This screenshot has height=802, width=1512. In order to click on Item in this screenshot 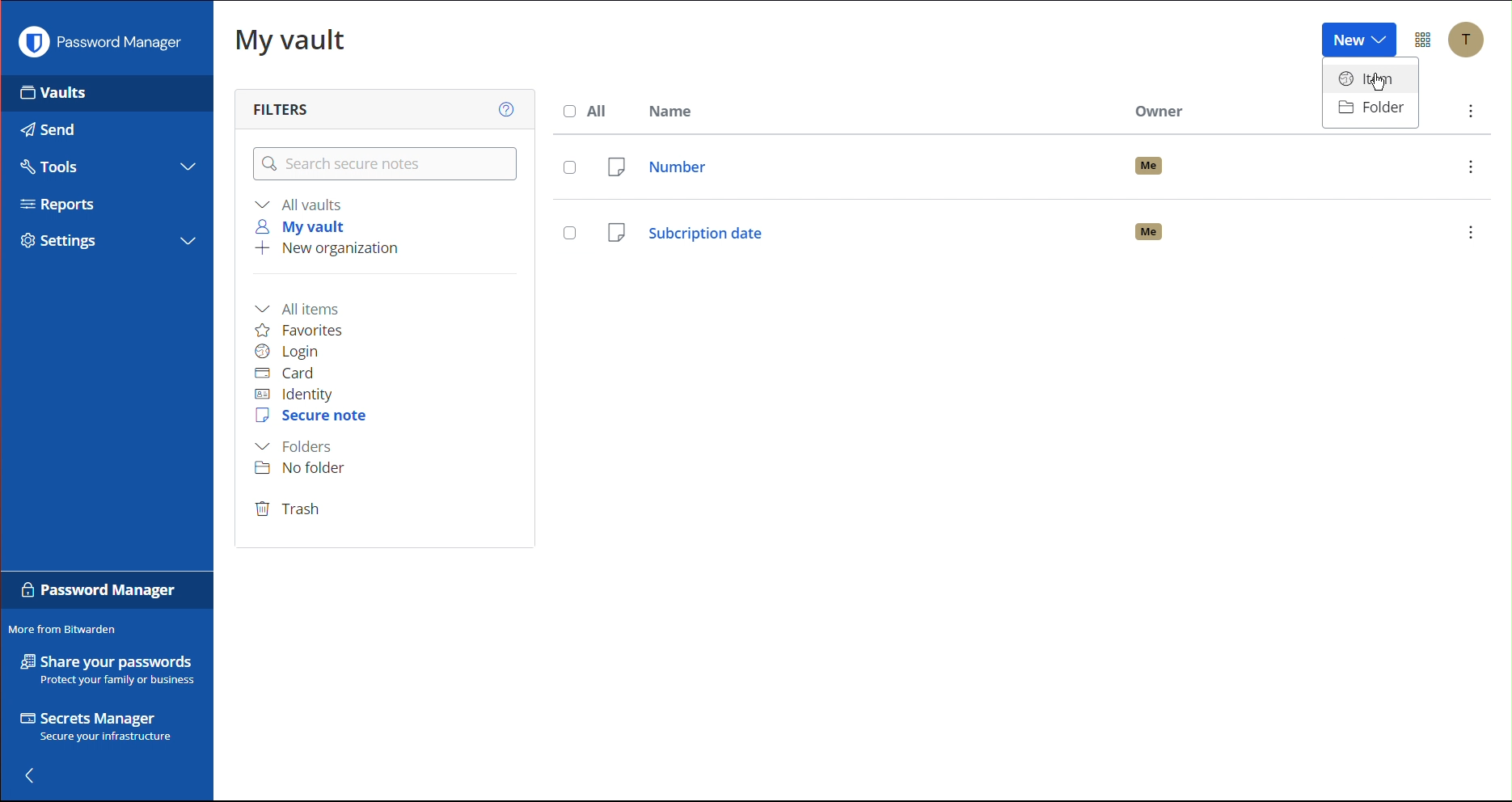, I will do `click(1367, 77)`.